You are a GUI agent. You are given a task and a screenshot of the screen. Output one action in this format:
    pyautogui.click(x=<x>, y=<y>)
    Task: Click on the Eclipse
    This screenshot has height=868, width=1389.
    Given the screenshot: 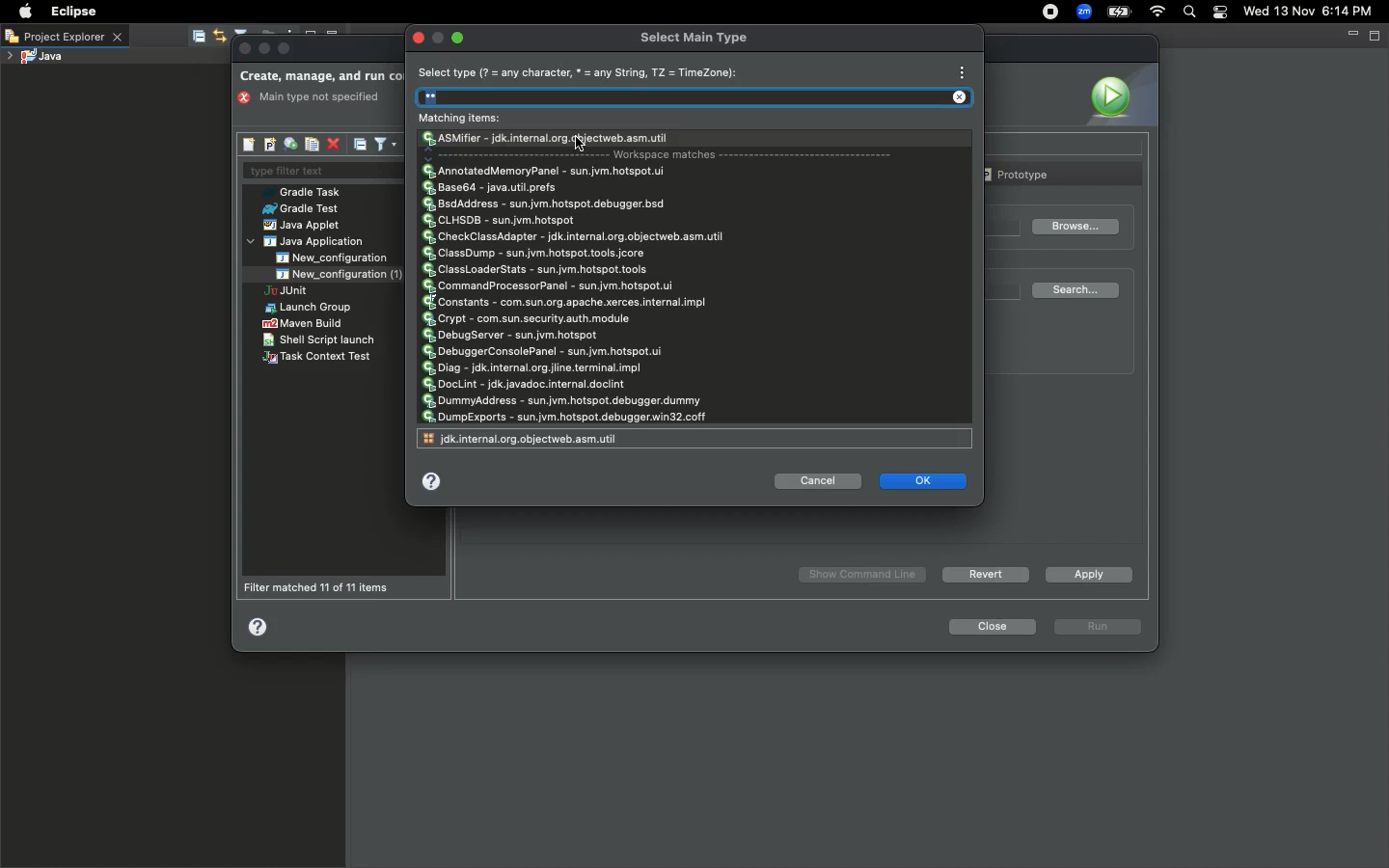 What is the action you would take?
    pyautogui.click(x=71, y=12)
    